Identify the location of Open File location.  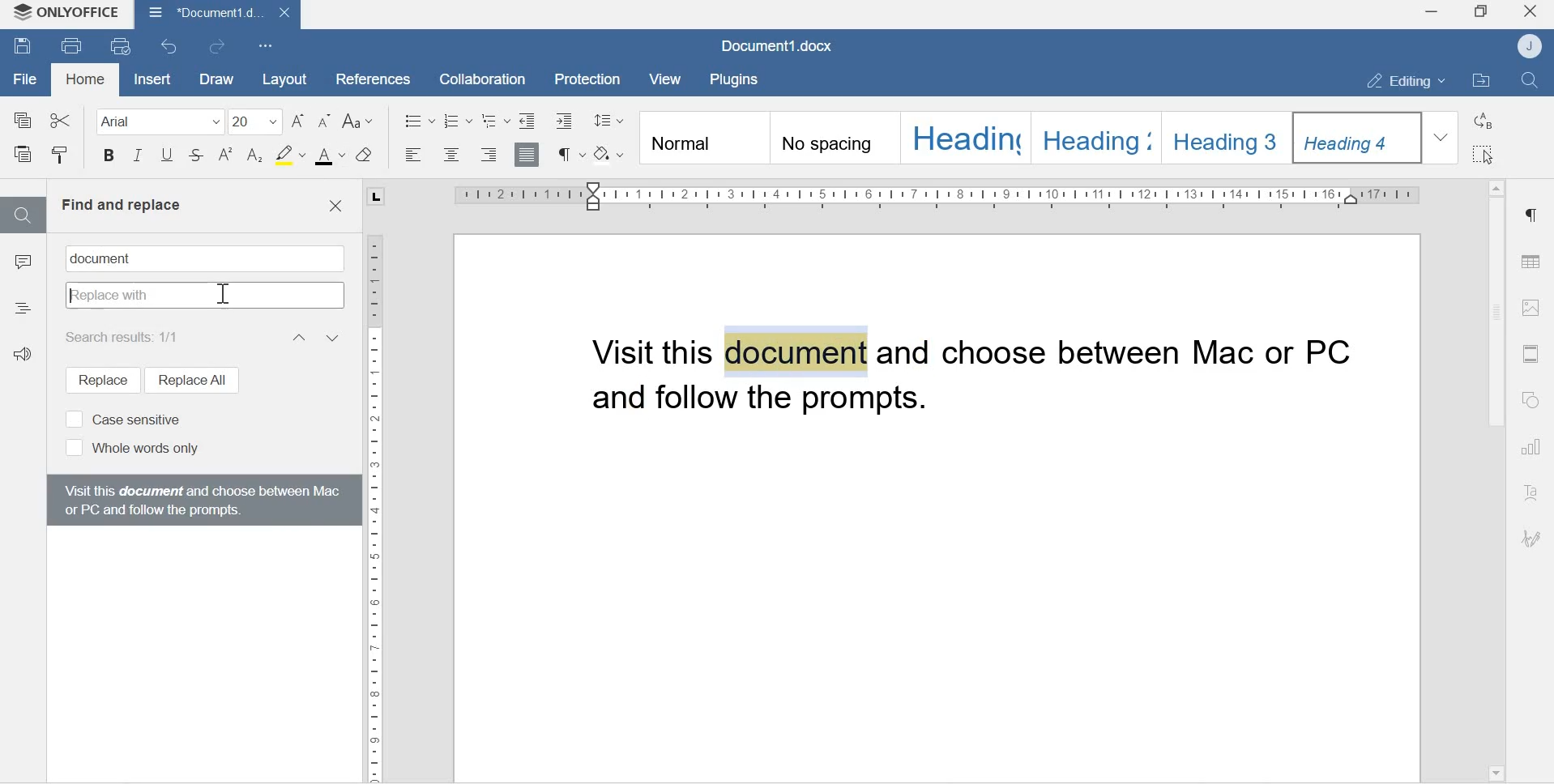
(1481, 82).